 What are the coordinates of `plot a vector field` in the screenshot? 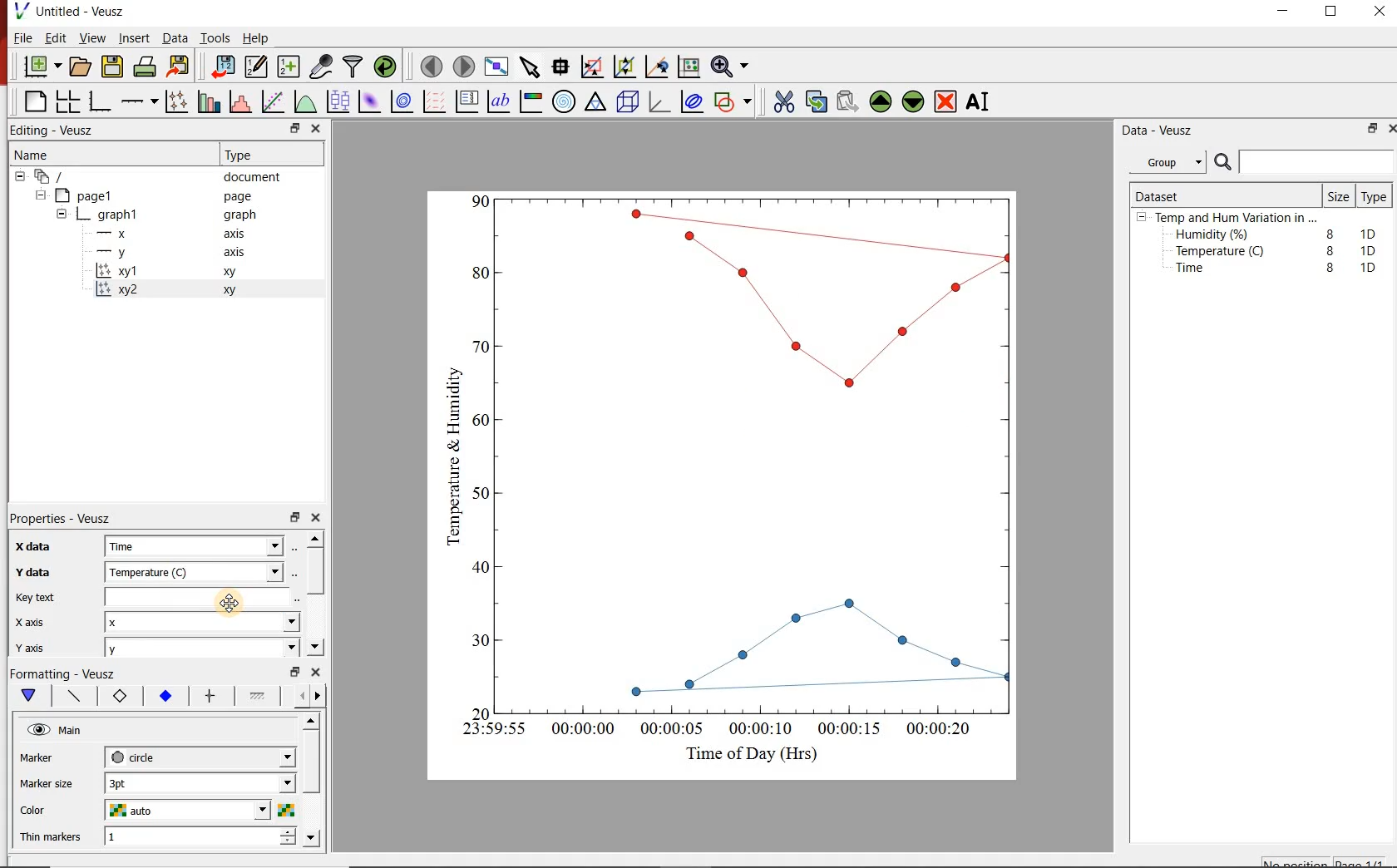 It's located at (435, 101).